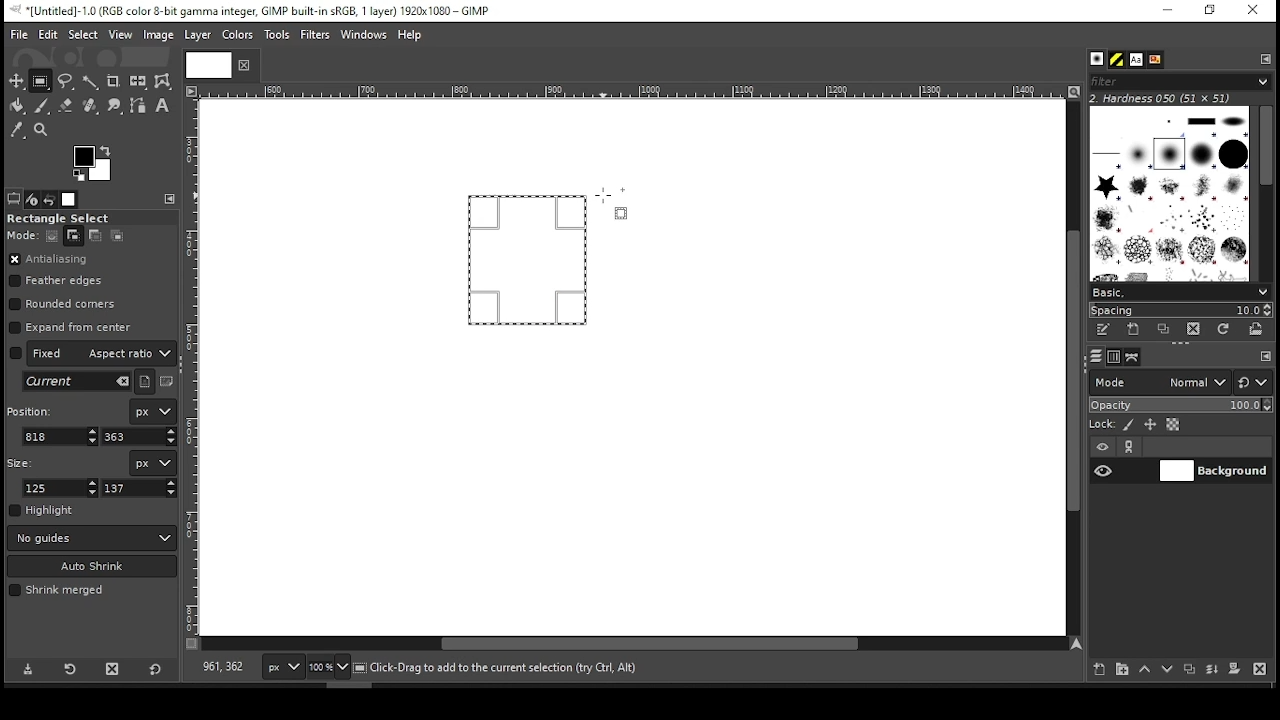 The height and width of the screenshot is (720, 1280). What do you see at coordinates (74, 236) in the screenshot?
I see `add to current selection` at bounding box center [74, 236].